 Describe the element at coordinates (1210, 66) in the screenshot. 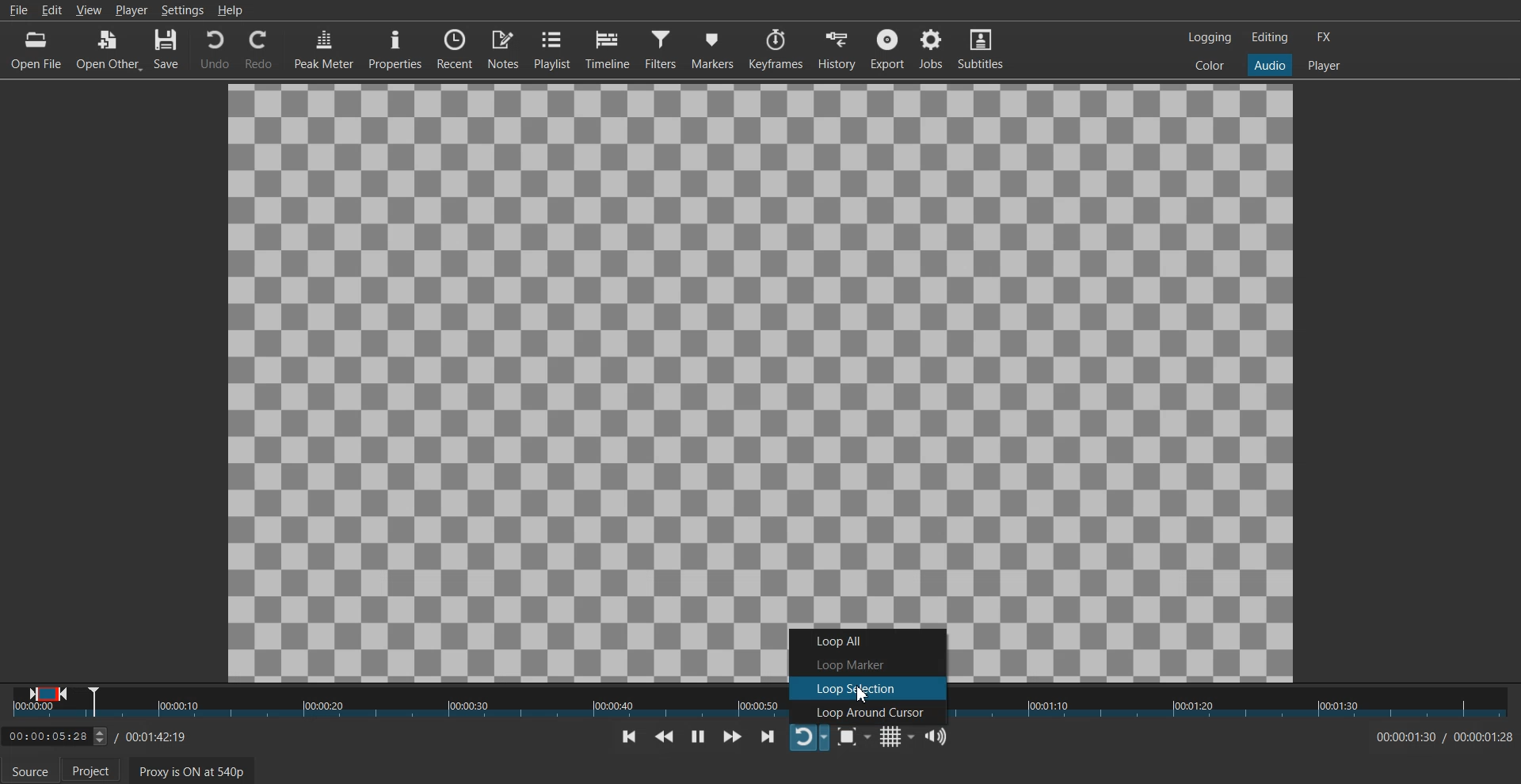

I see `Color` at that location.